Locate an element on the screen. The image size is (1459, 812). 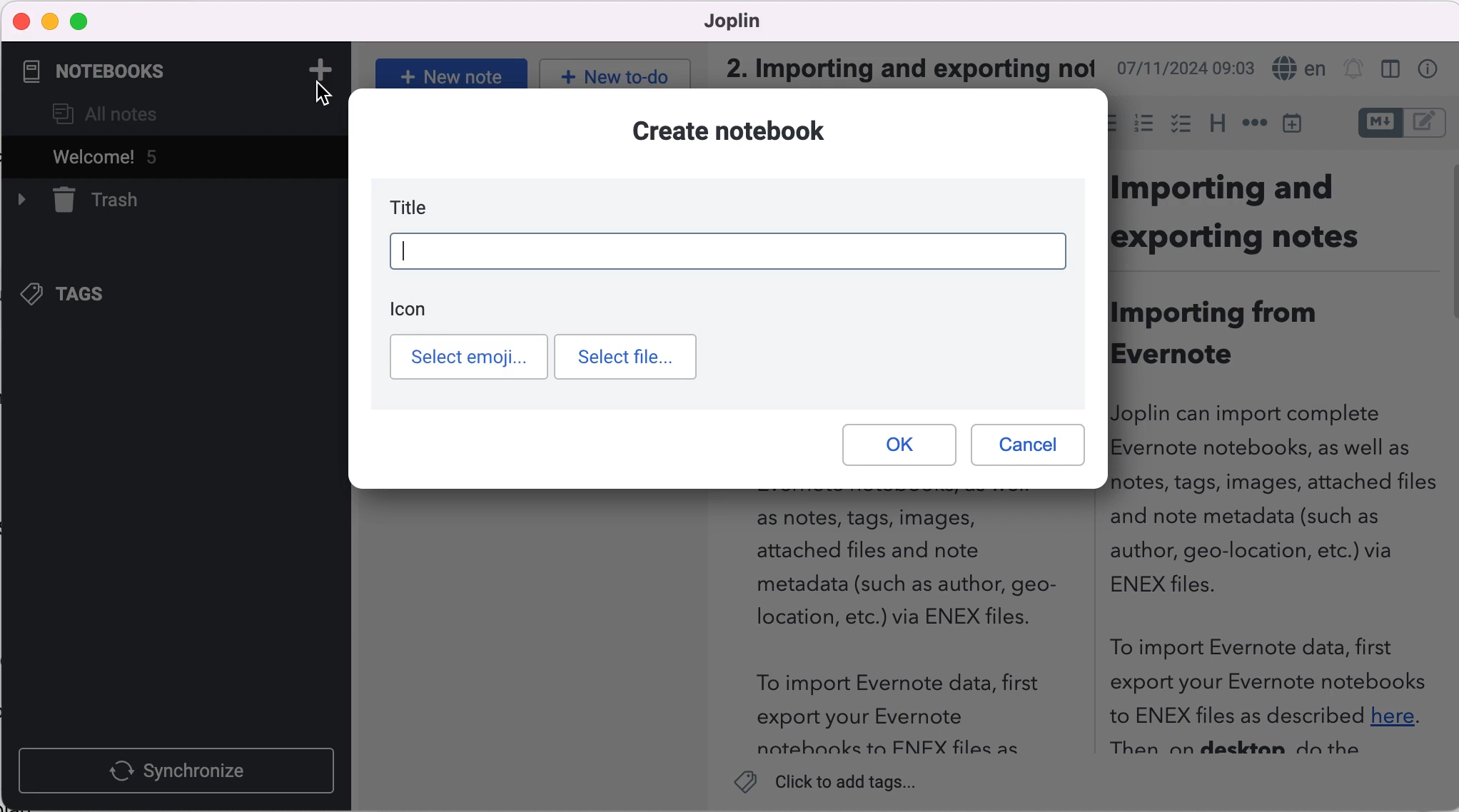
all notes is located at coordinates (105, 116).